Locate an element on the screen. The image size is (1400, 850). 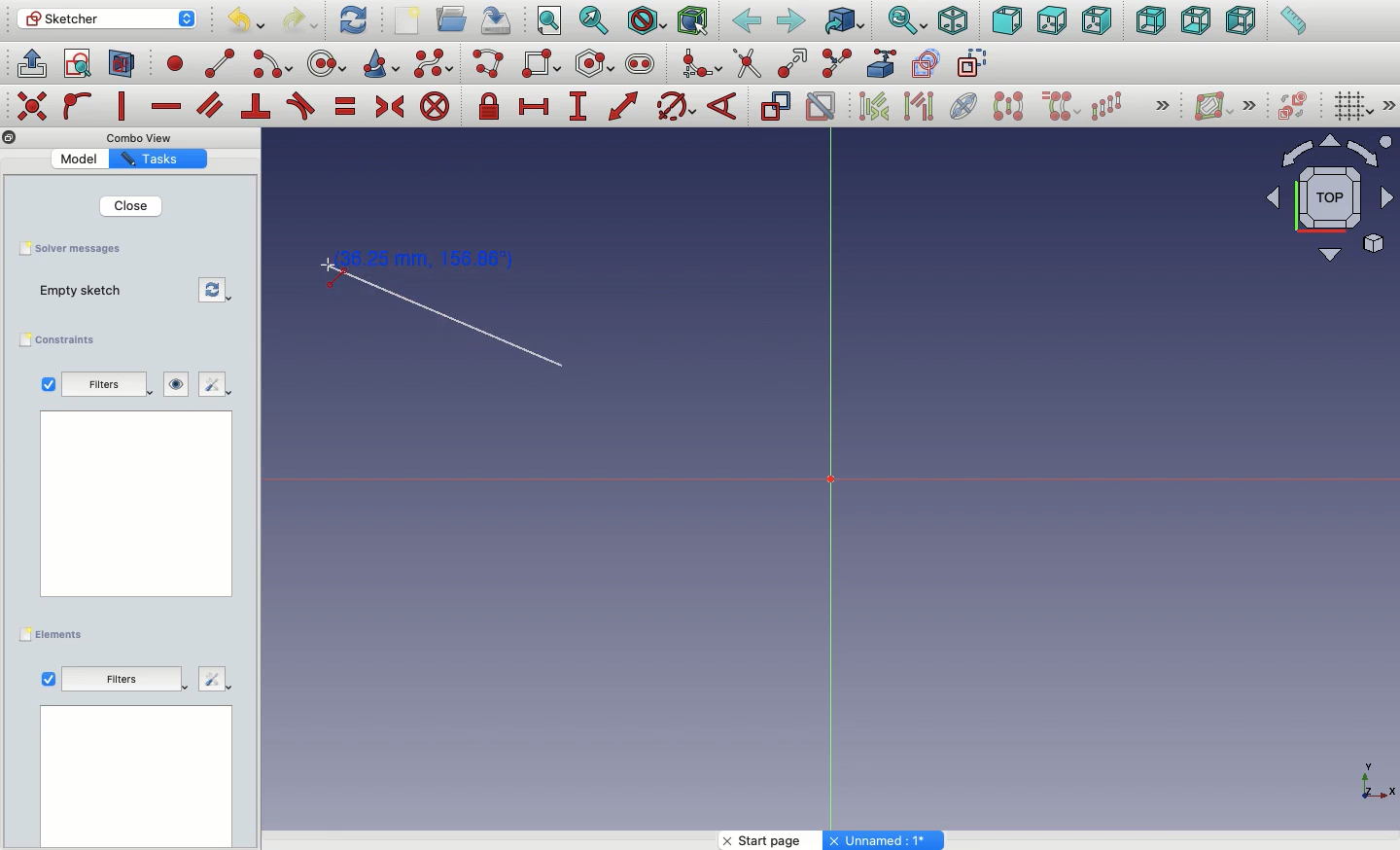
Fit all is located at coordinates (551, 21).